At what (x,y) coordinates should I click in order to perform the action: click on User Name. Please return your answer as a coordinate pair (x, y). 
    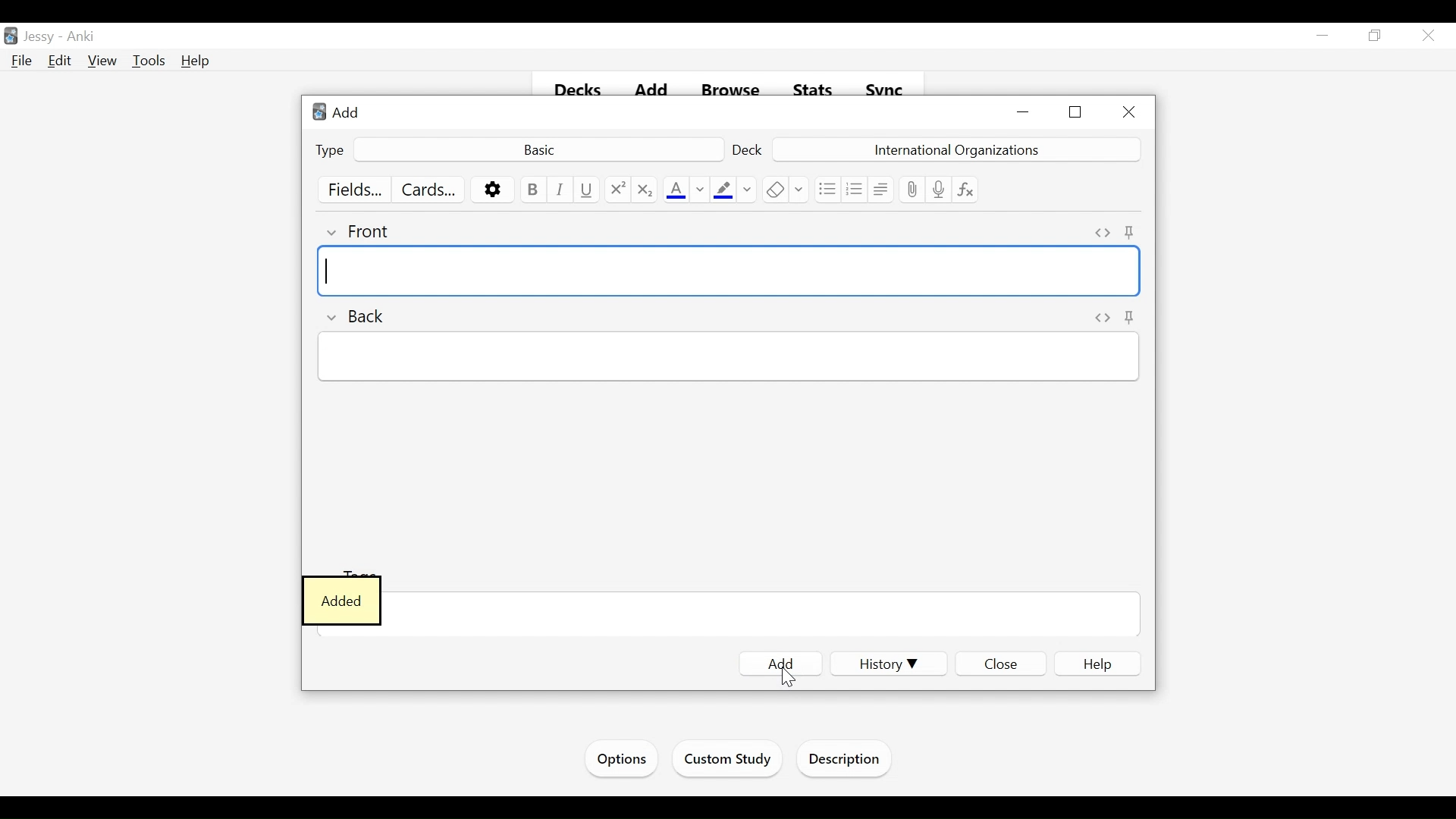
    Looking at the image, I should click on (39, 37).